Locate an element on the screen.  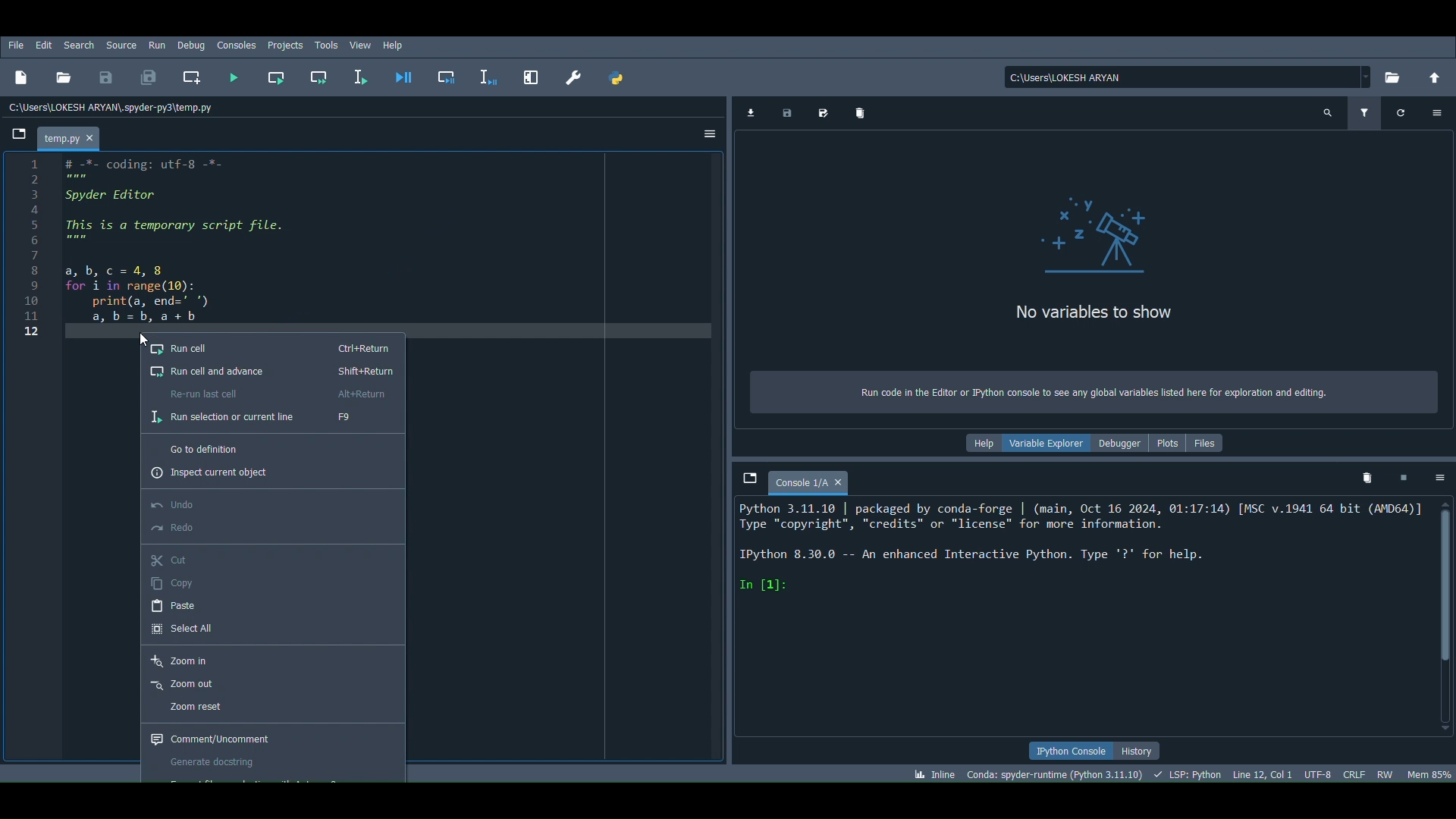
Cut is located at coordinates (268, 557).